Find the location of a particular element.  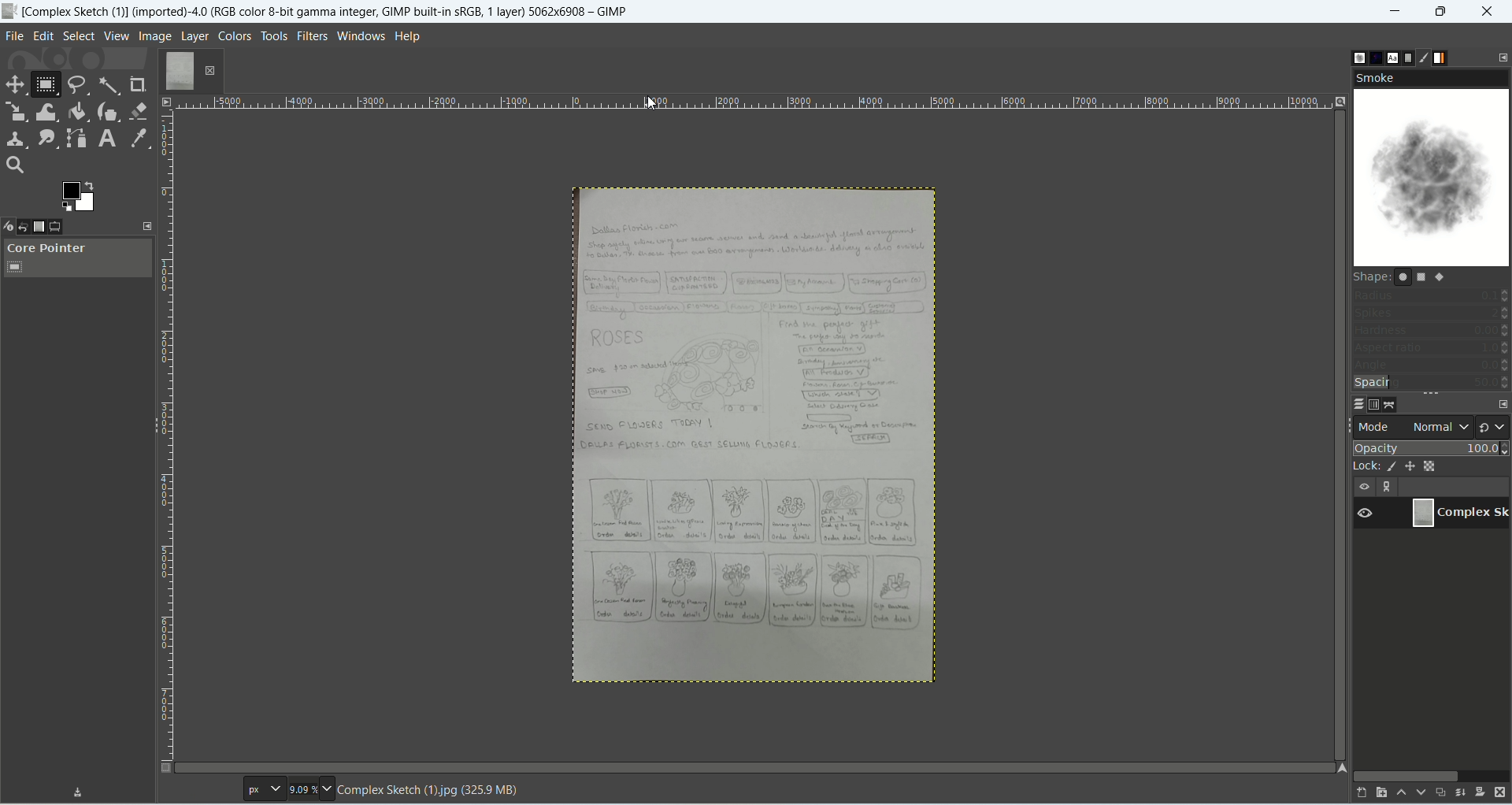

hardness is located at coordinates (1431, 330).